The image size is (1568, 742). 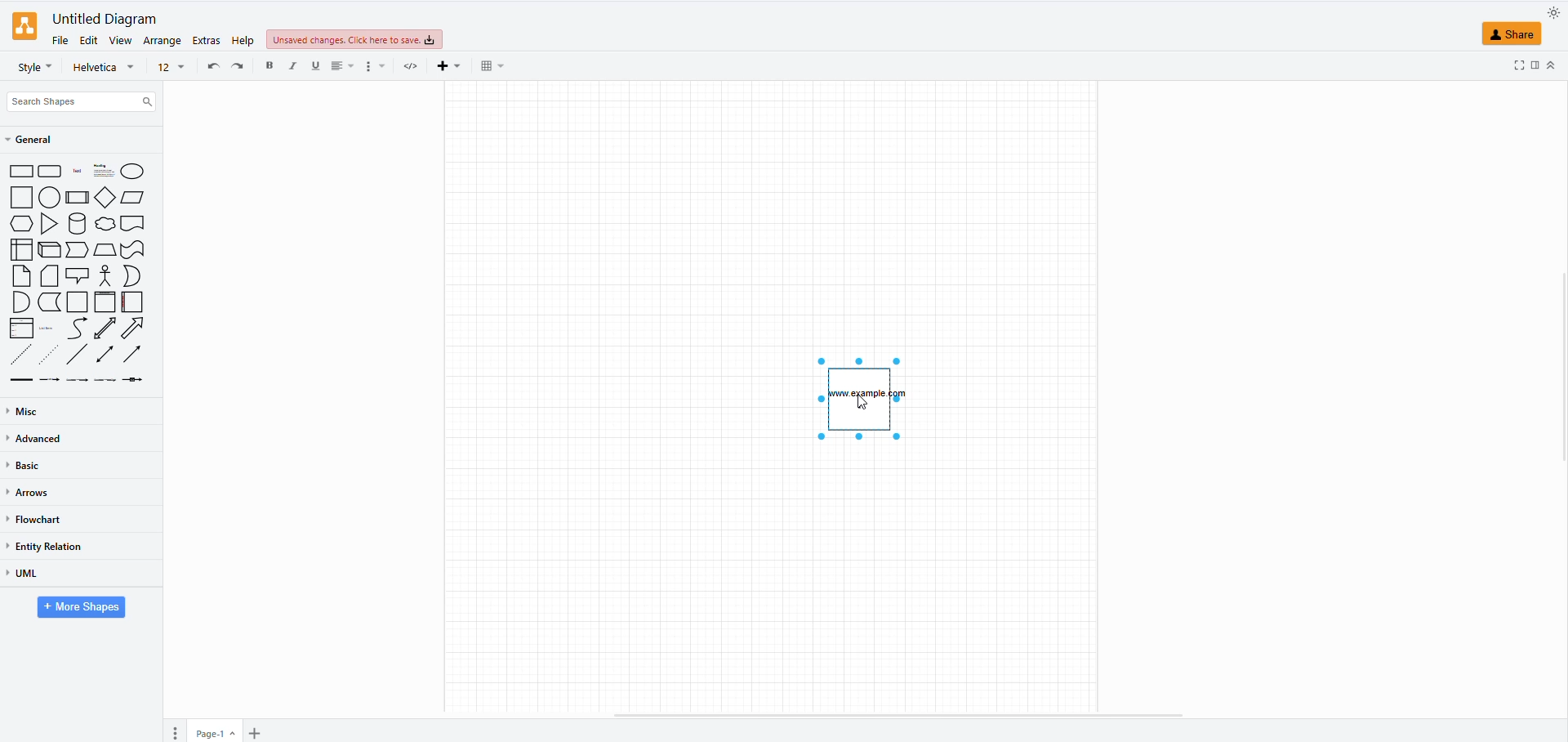 I want to click on dashed line, so click(x=22, y=354).